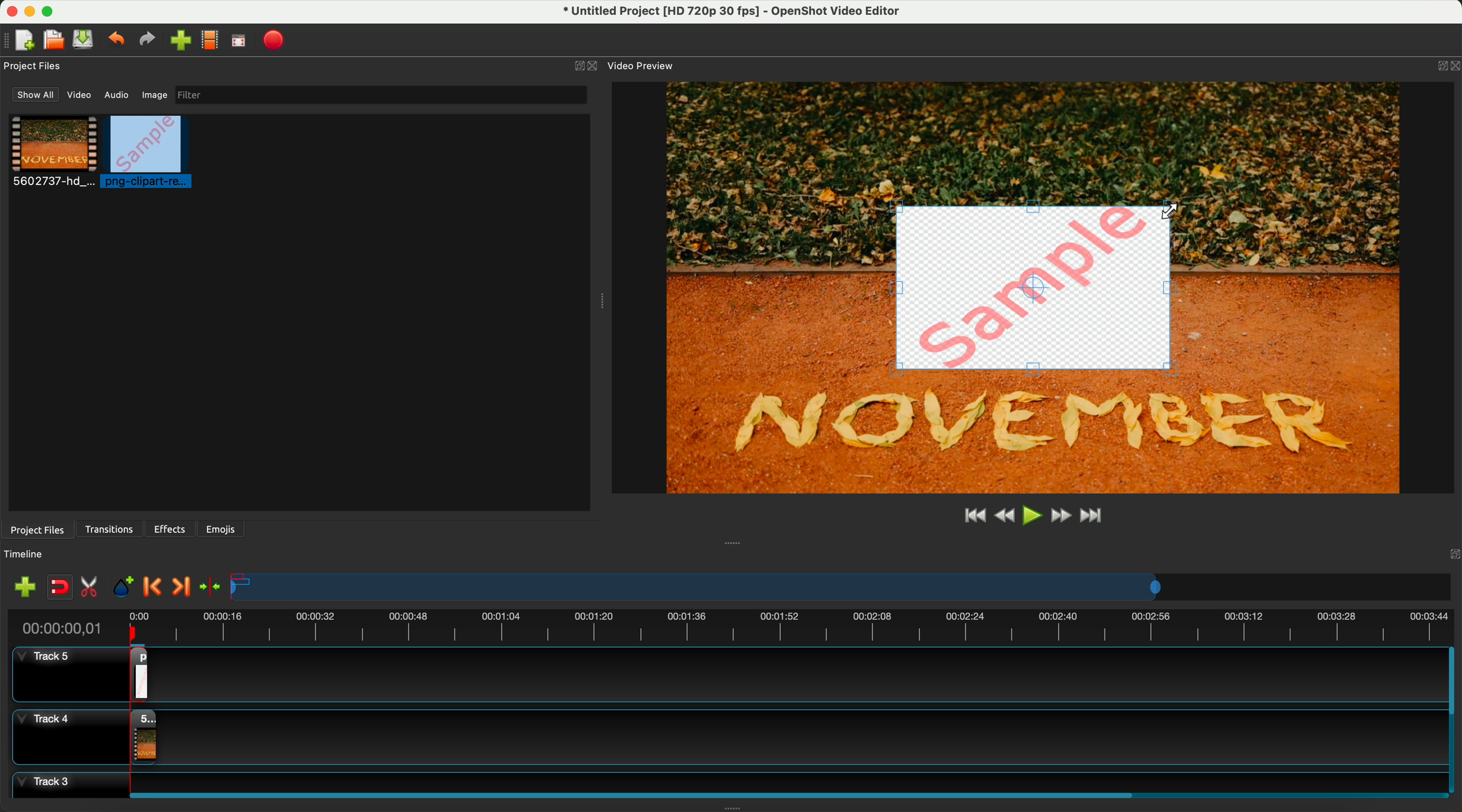 The image size is (1462, 812). I want to click on file name, so click(725, 13).